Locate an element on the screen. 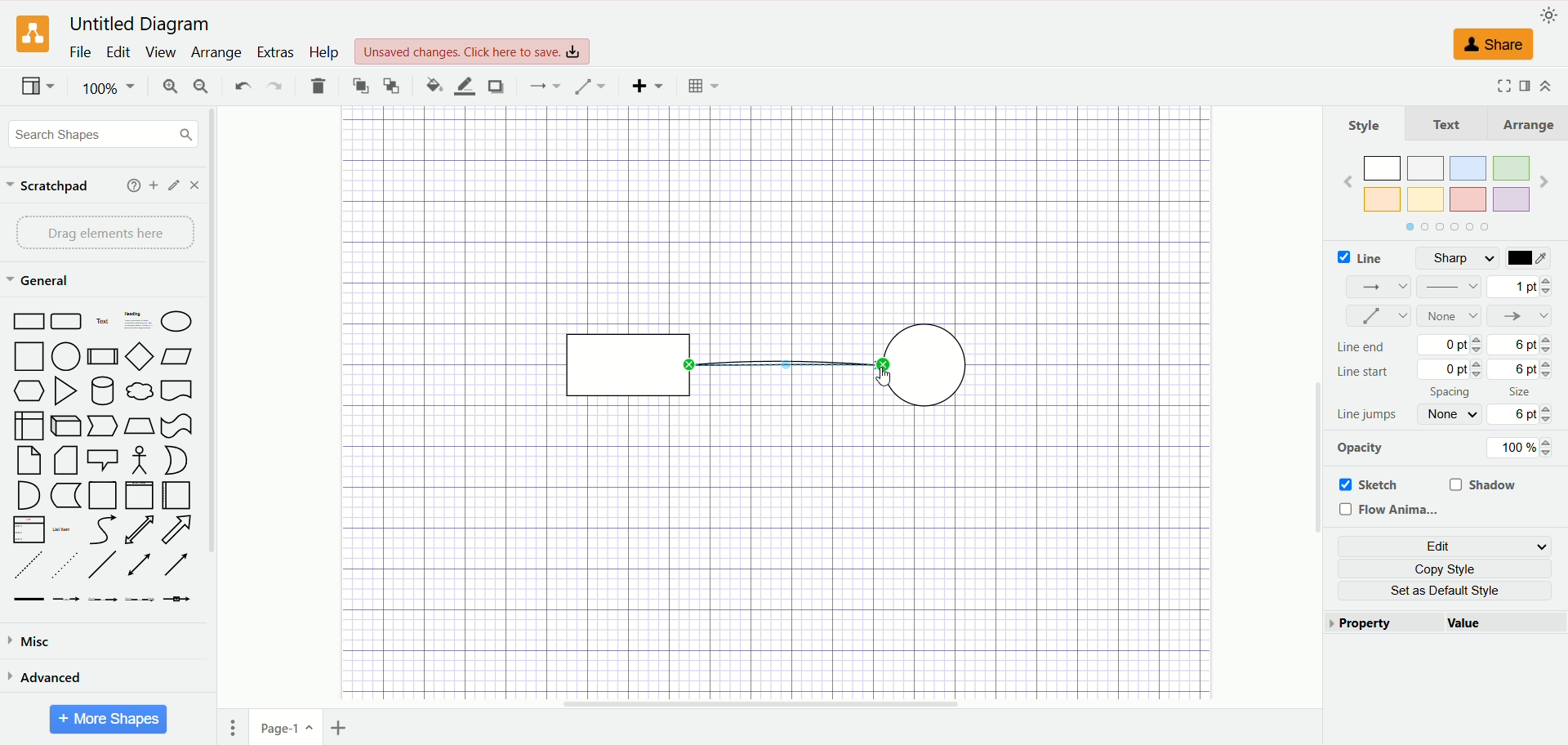 This screenshot has width=1568, height=745. line end is located at coordinates (1365, 349).